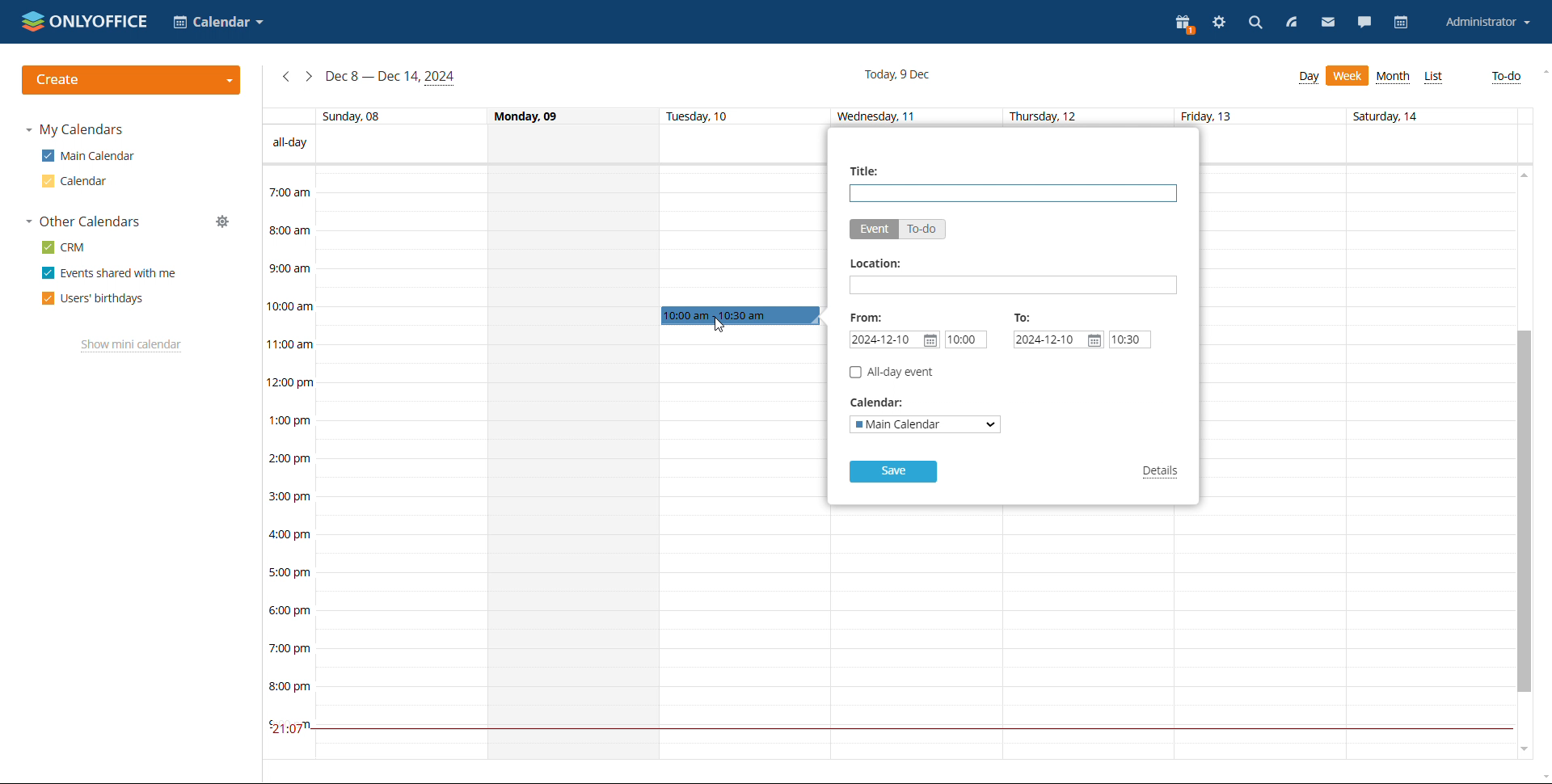 This screenshot has width=1552, height=784. What do you see at coordinates (893, 471) in the screenshot?
I see `save` at bounding box center [893, 471].